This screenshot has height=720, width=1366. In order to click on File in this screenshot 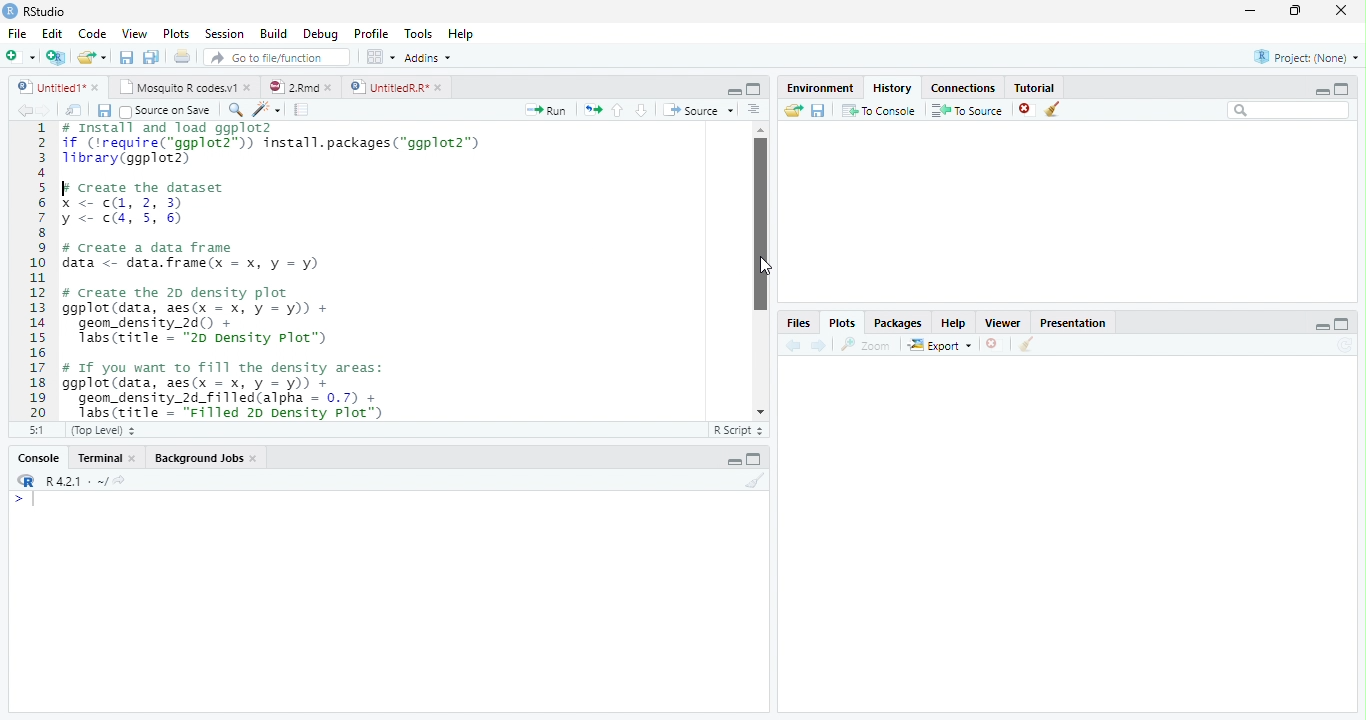, I will do `click(17, 35)`.